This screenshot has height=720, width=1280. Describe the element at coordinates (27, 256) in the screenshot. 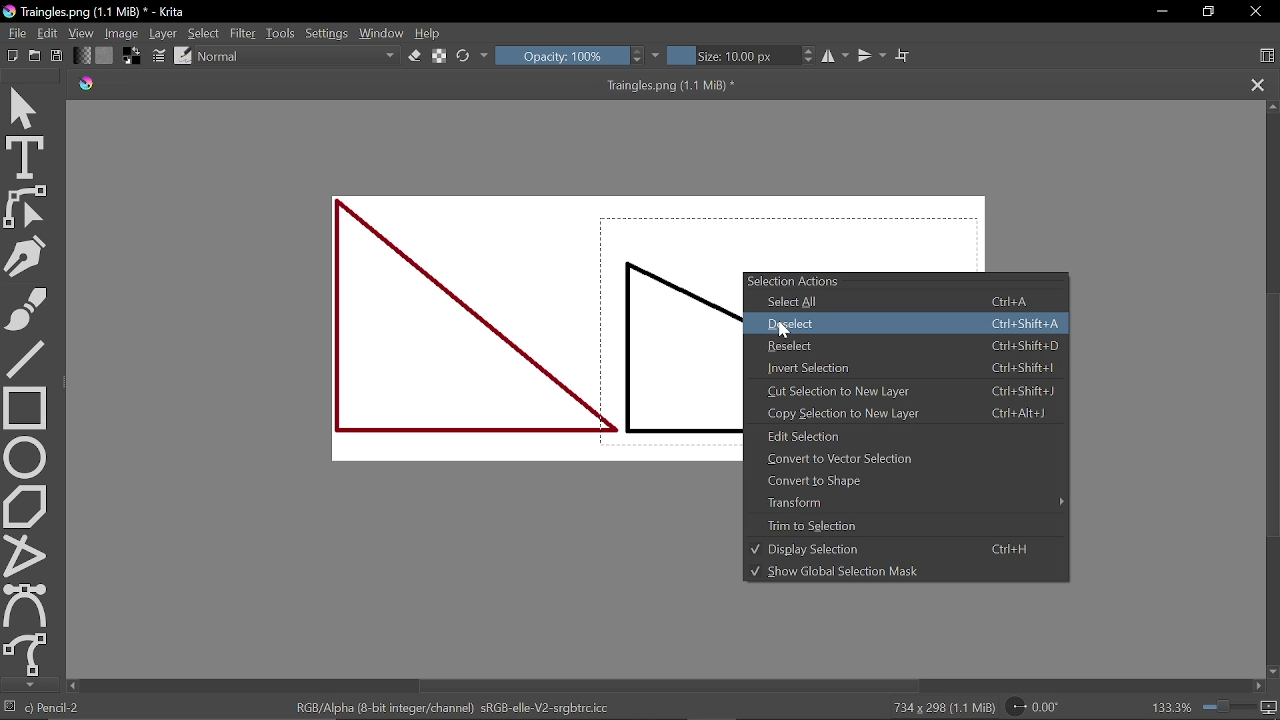

I see `Calligraphy` at that location.